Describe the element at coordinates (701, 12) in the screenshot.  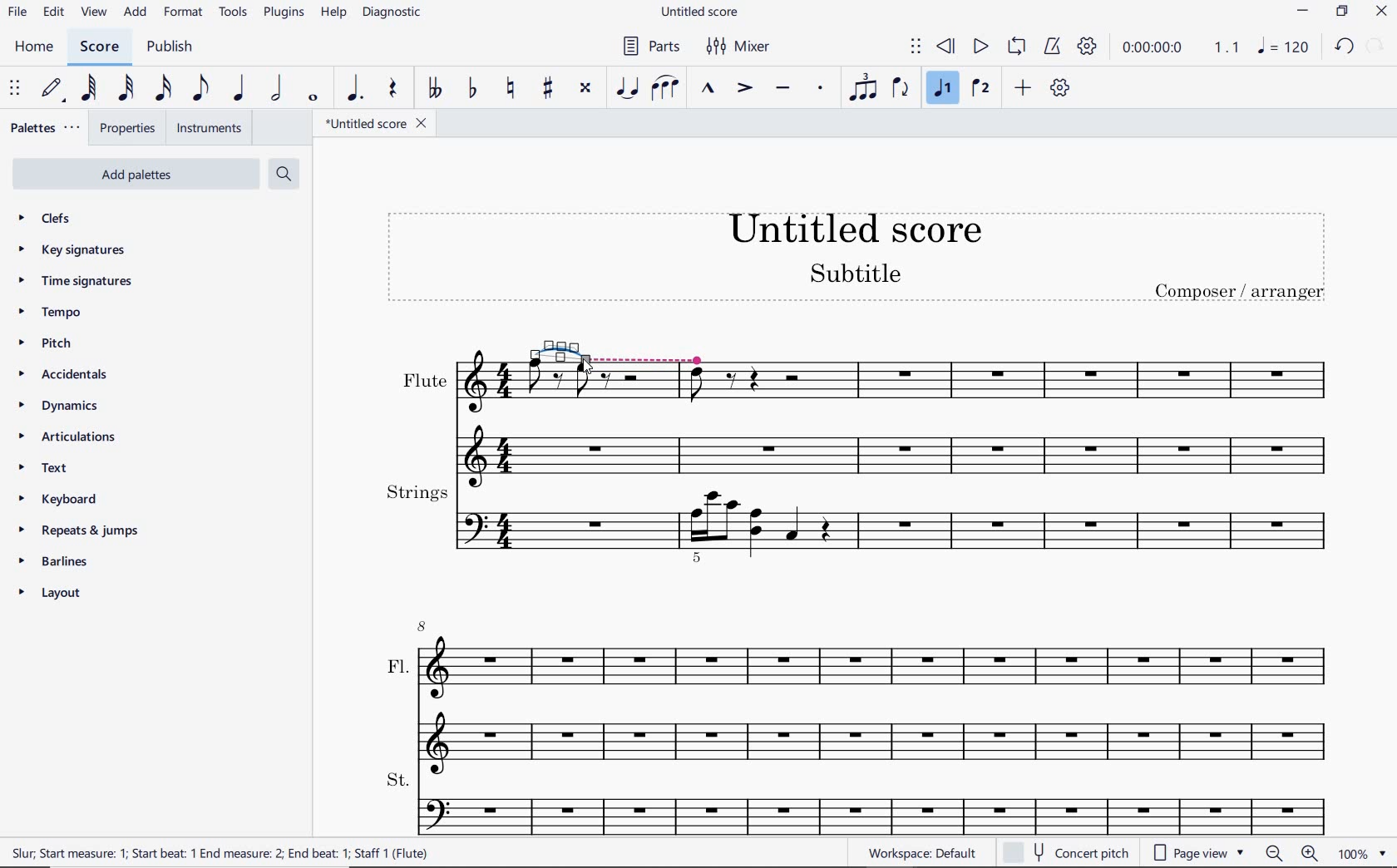
I see `file name` at that location.